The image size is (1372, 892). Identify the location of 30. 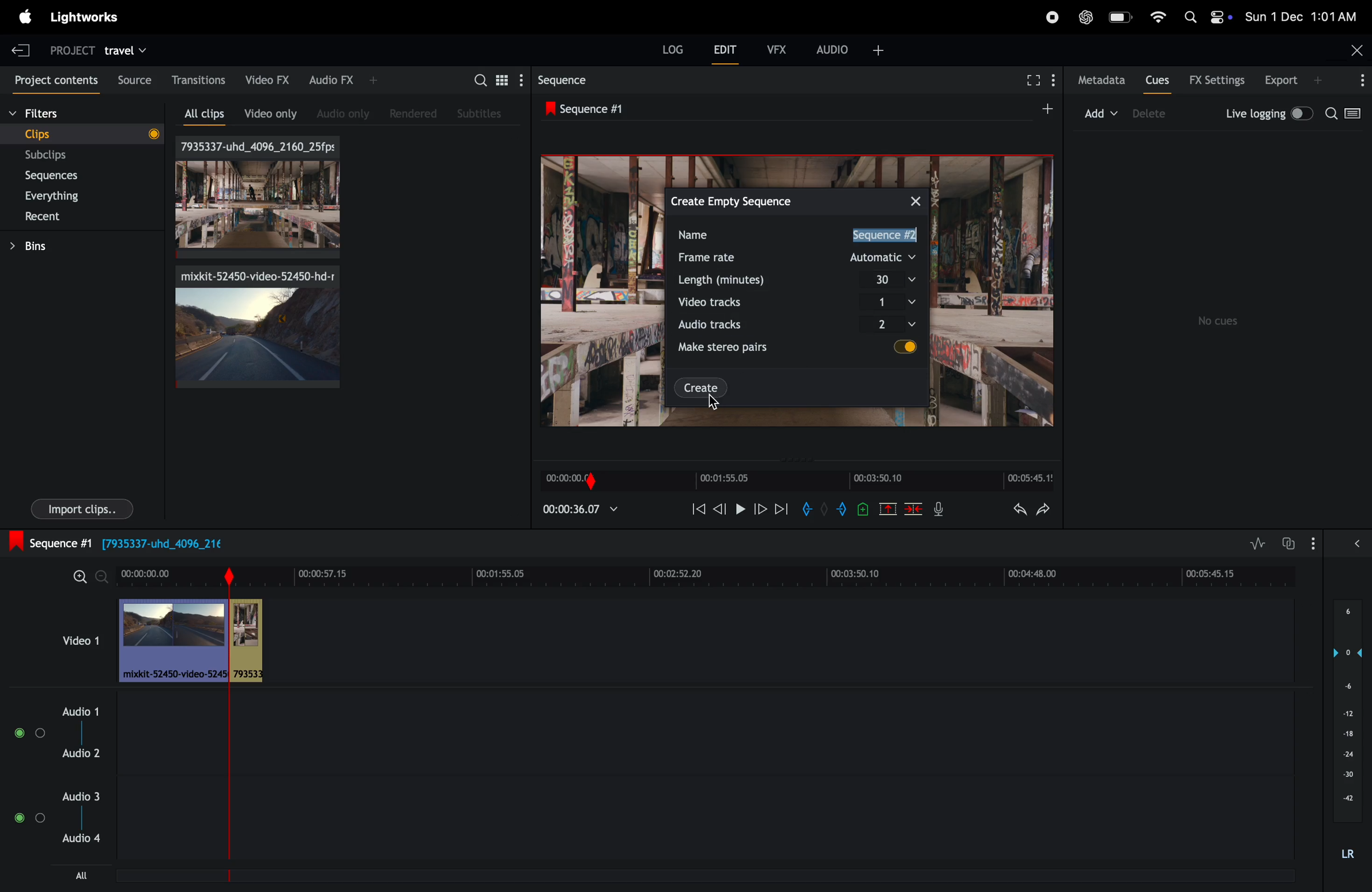
(894, 279).